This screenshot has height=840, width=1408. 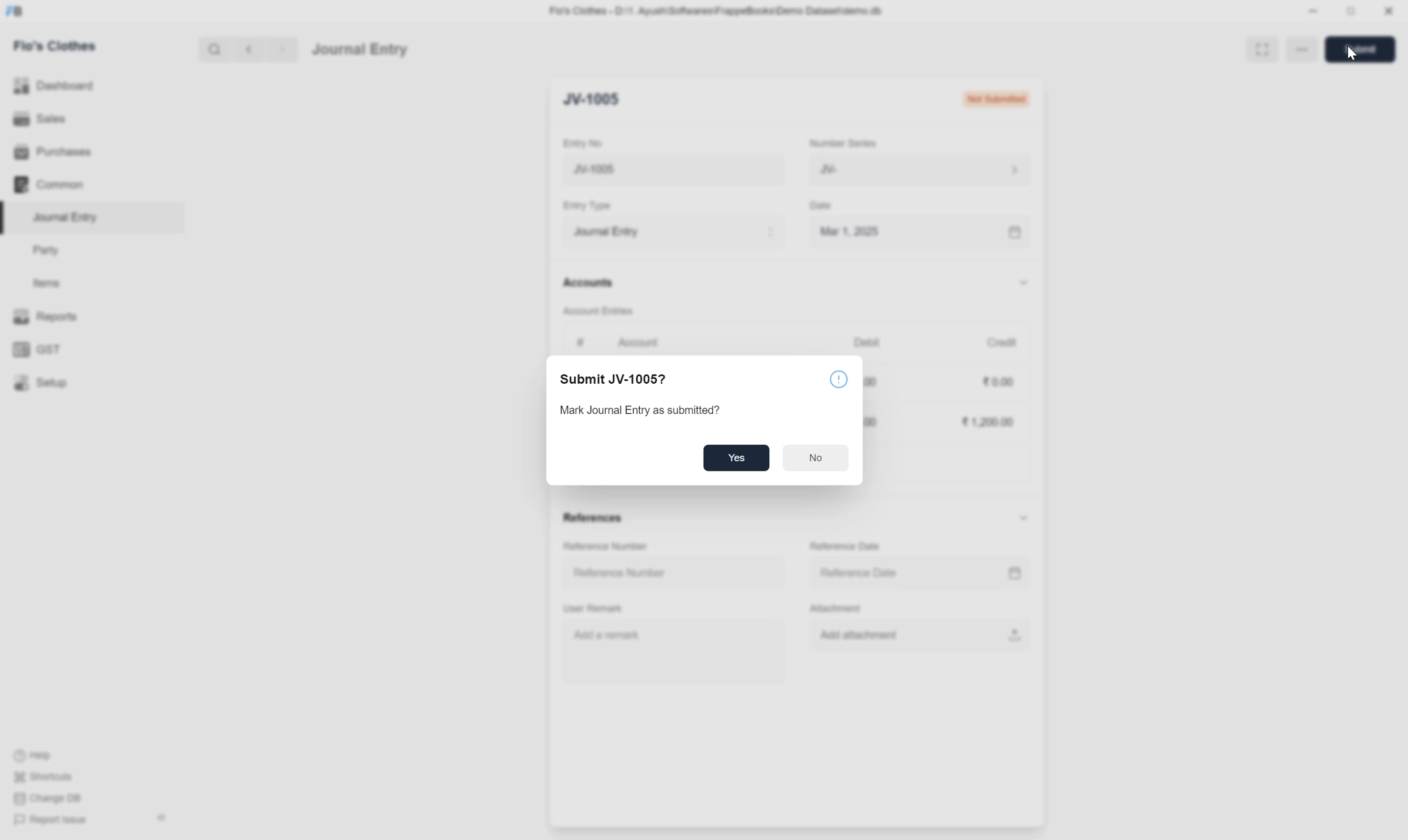 What do you see at coordinates (41, 382) in the screenshot?
I see `Setup` at bounding box center [41, 382].